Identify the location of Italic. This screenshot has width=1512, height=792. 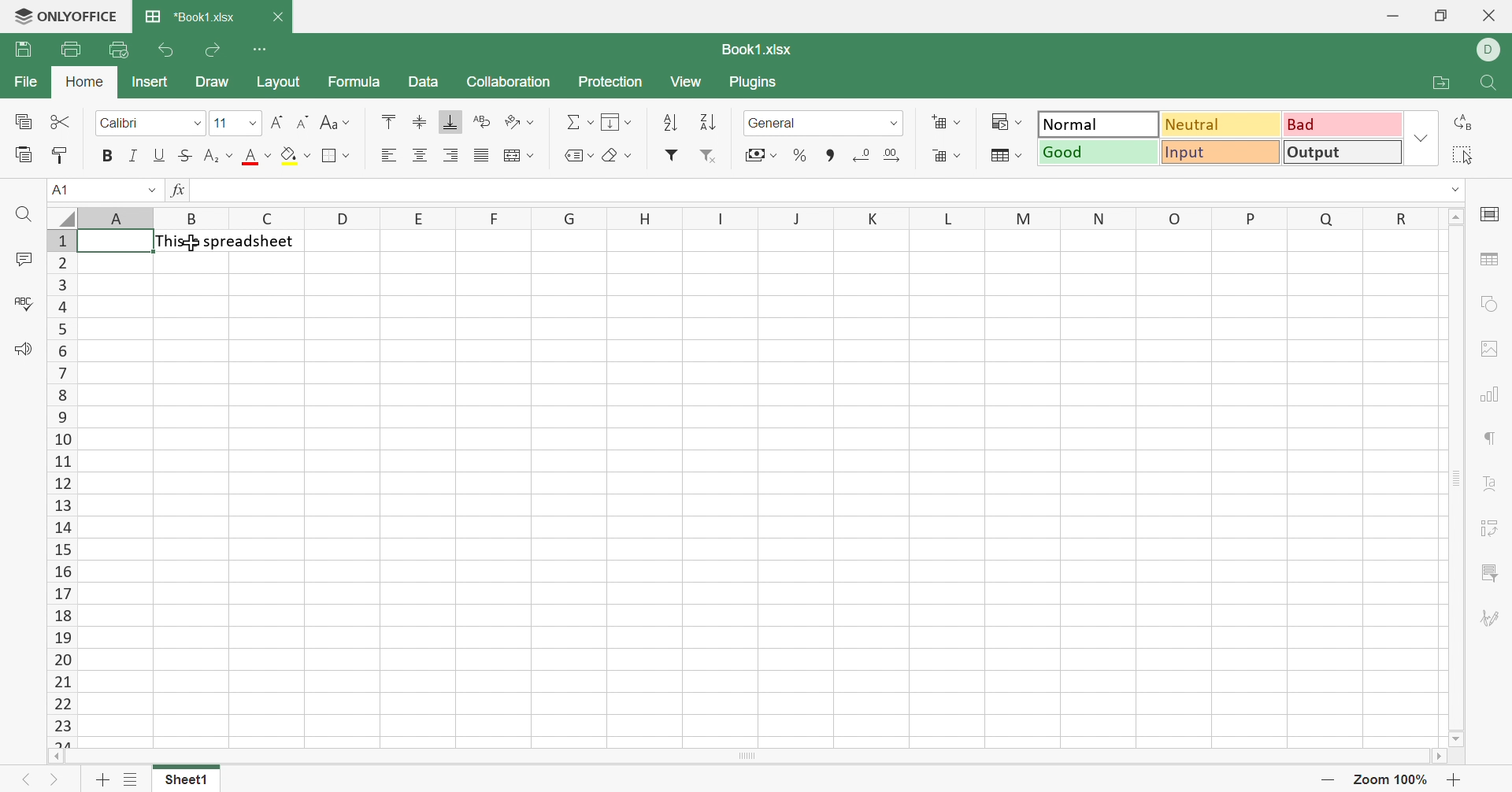
(135, 155).